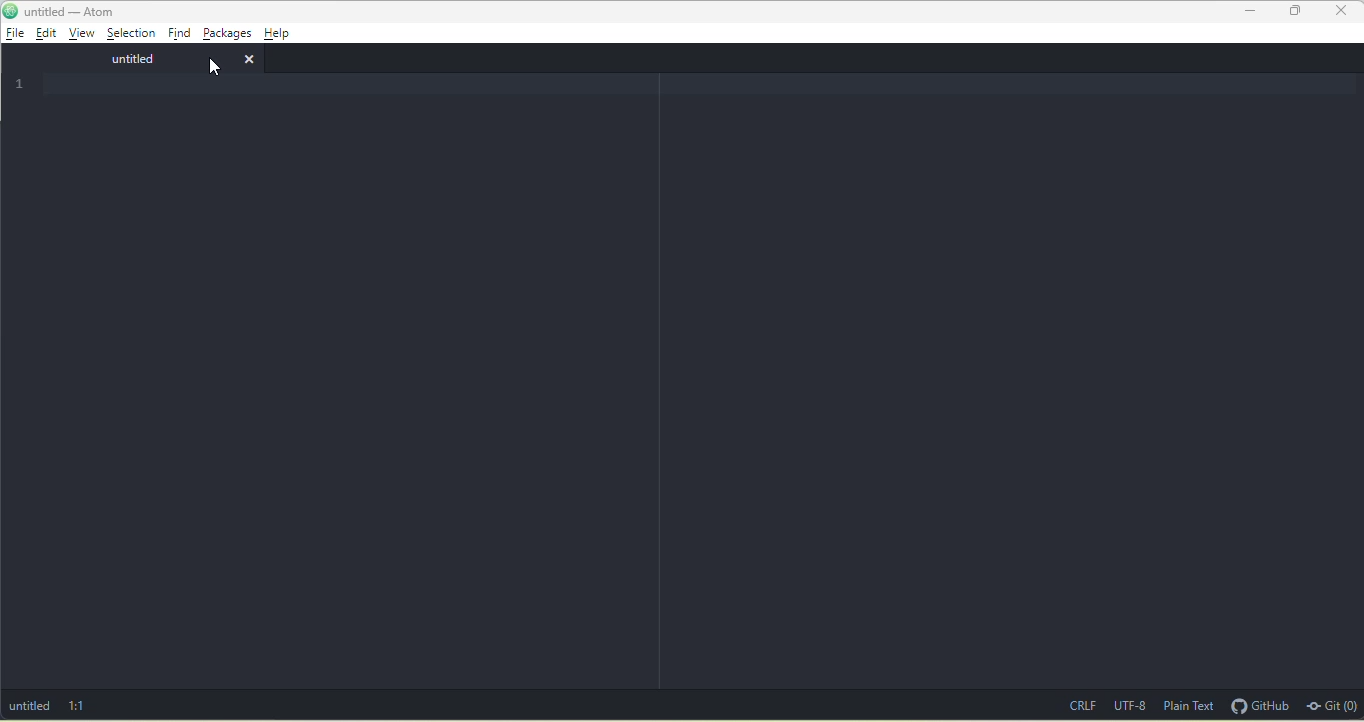  Describe the element at coordinates (23, 84) in the screenshot. I see `1` at that location.